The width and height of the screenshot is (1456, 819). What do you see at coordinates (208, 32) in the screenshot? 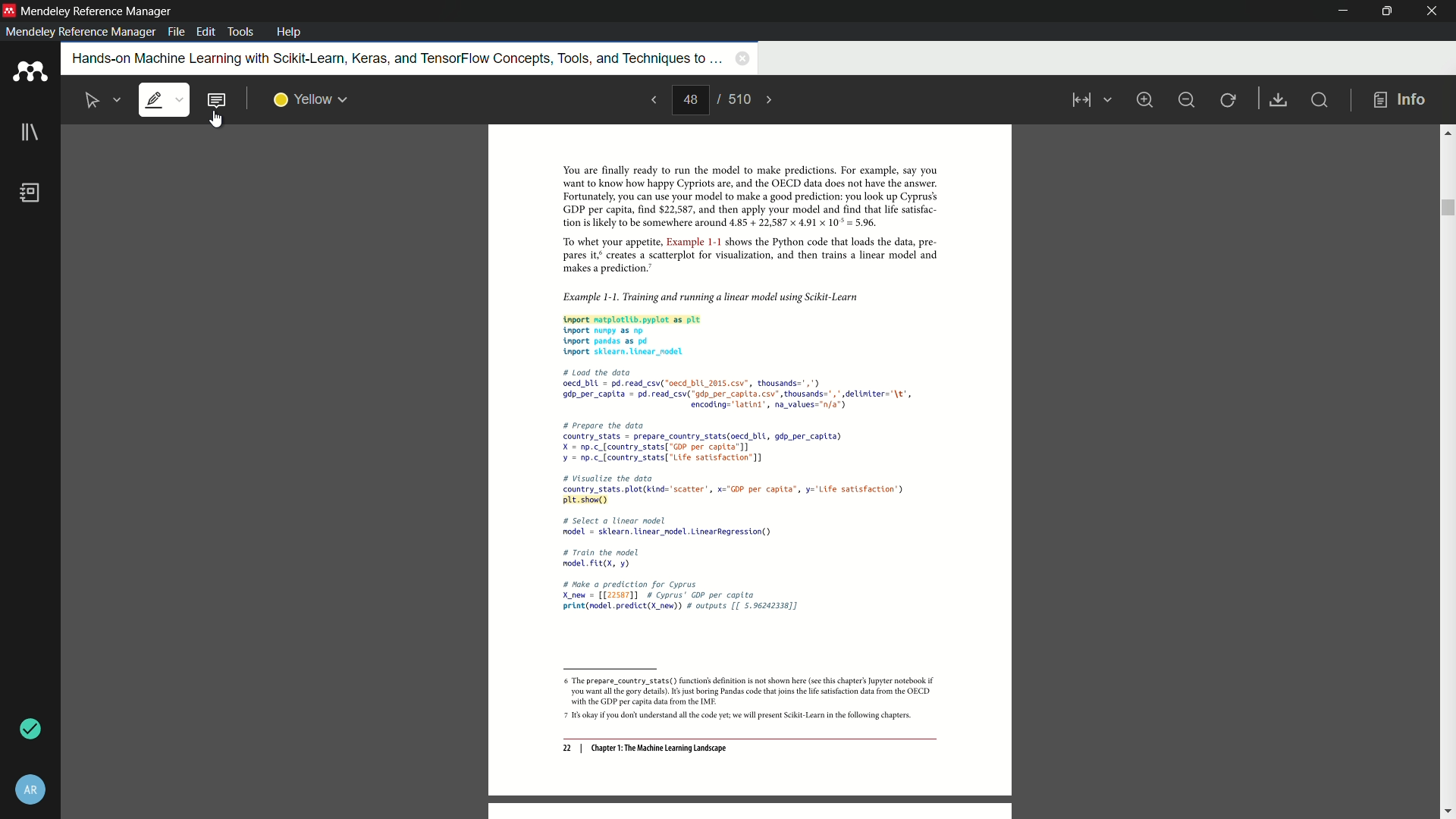
I see `edit menu` at bounding box center [208, 32].